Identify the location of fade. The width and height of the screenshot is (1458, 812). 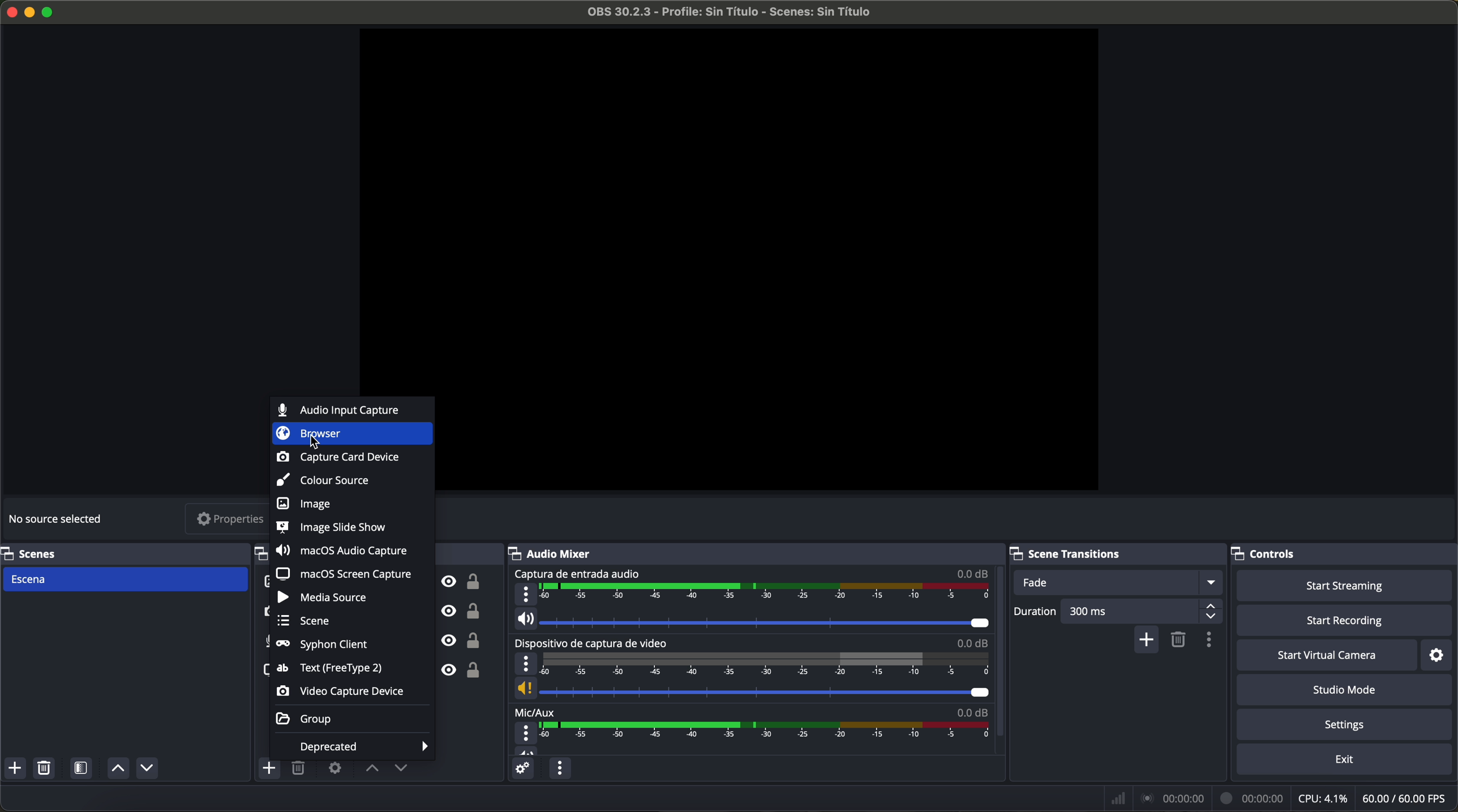
(1121, 582).